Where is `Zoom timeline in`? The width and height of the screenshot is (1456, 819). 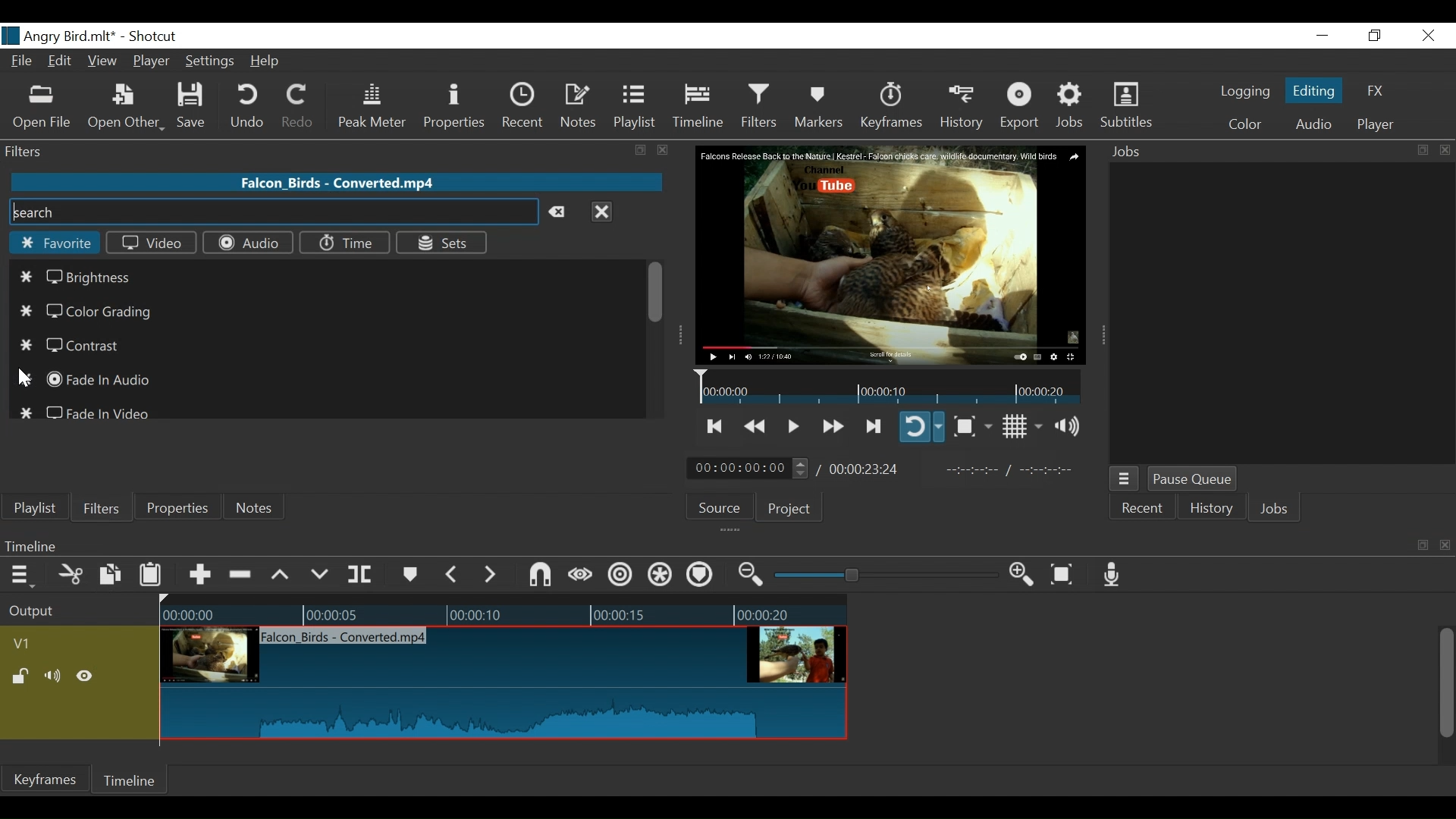
Zoom timeline in is located at coordinates (1026, 576).